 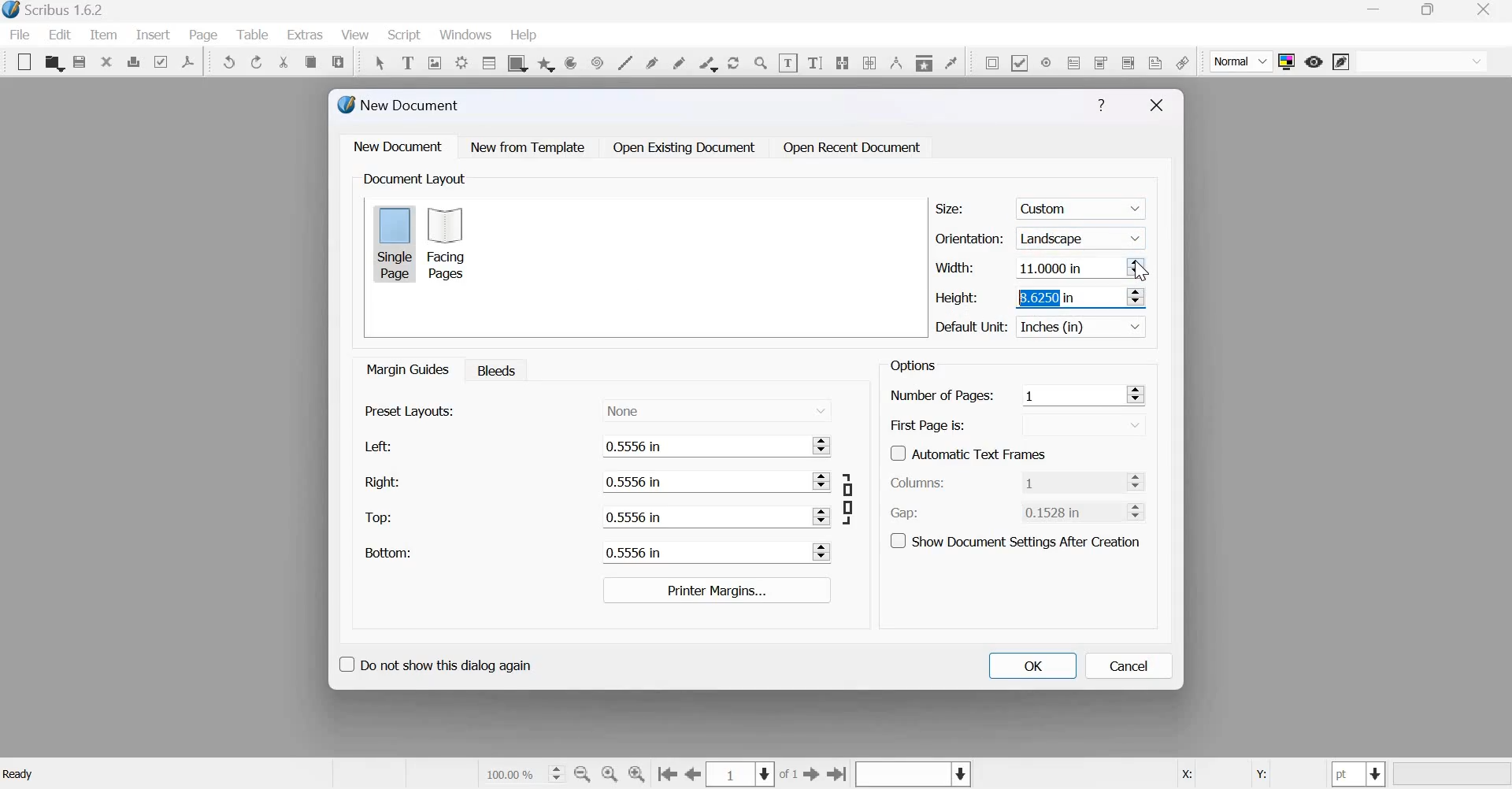 I want to click on PDF combo box, so click(x=1099, y=62).